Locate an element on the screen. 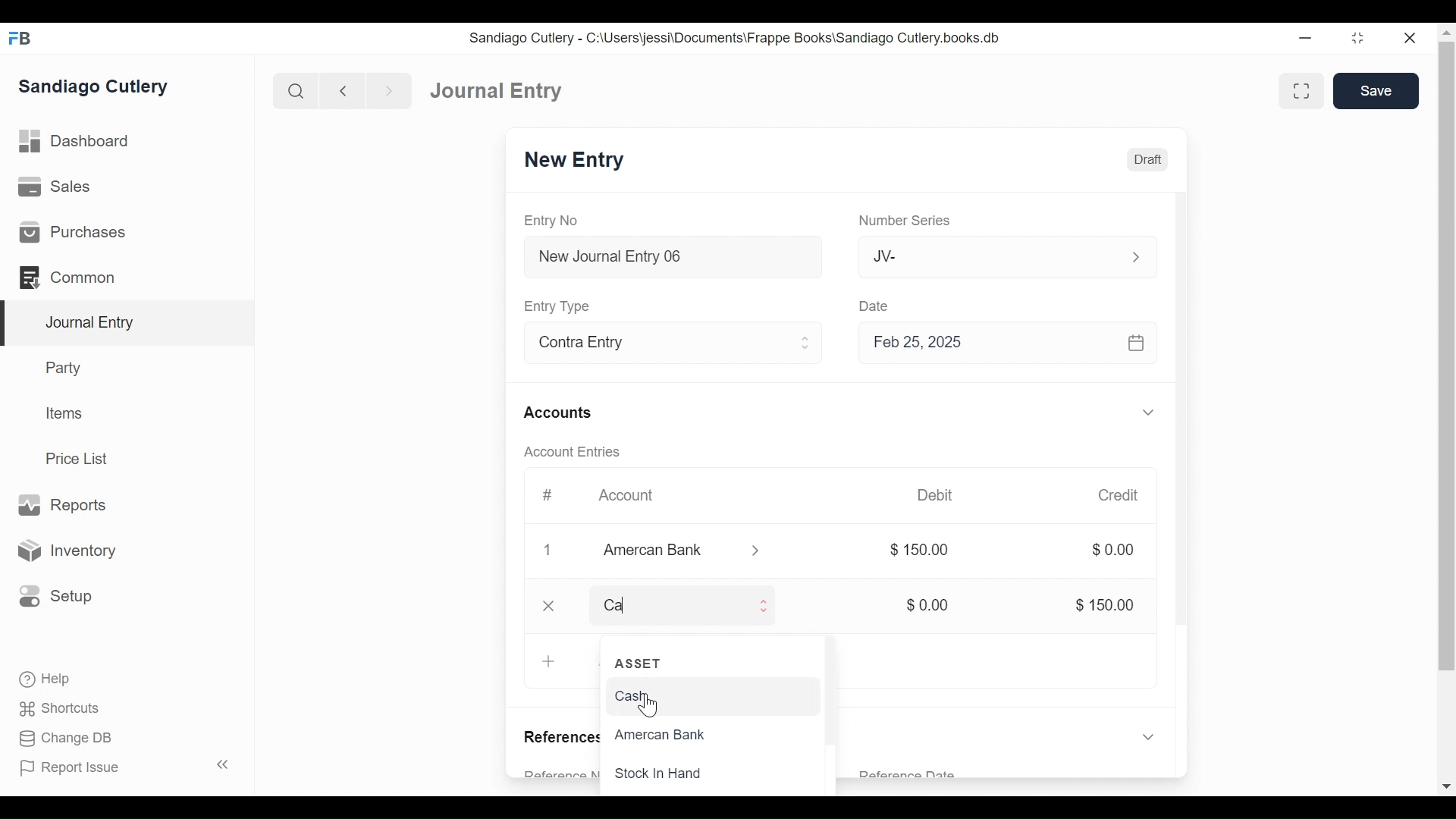 The image size is (1456, 819). Journal Entry is located at coordinates (497, 89).